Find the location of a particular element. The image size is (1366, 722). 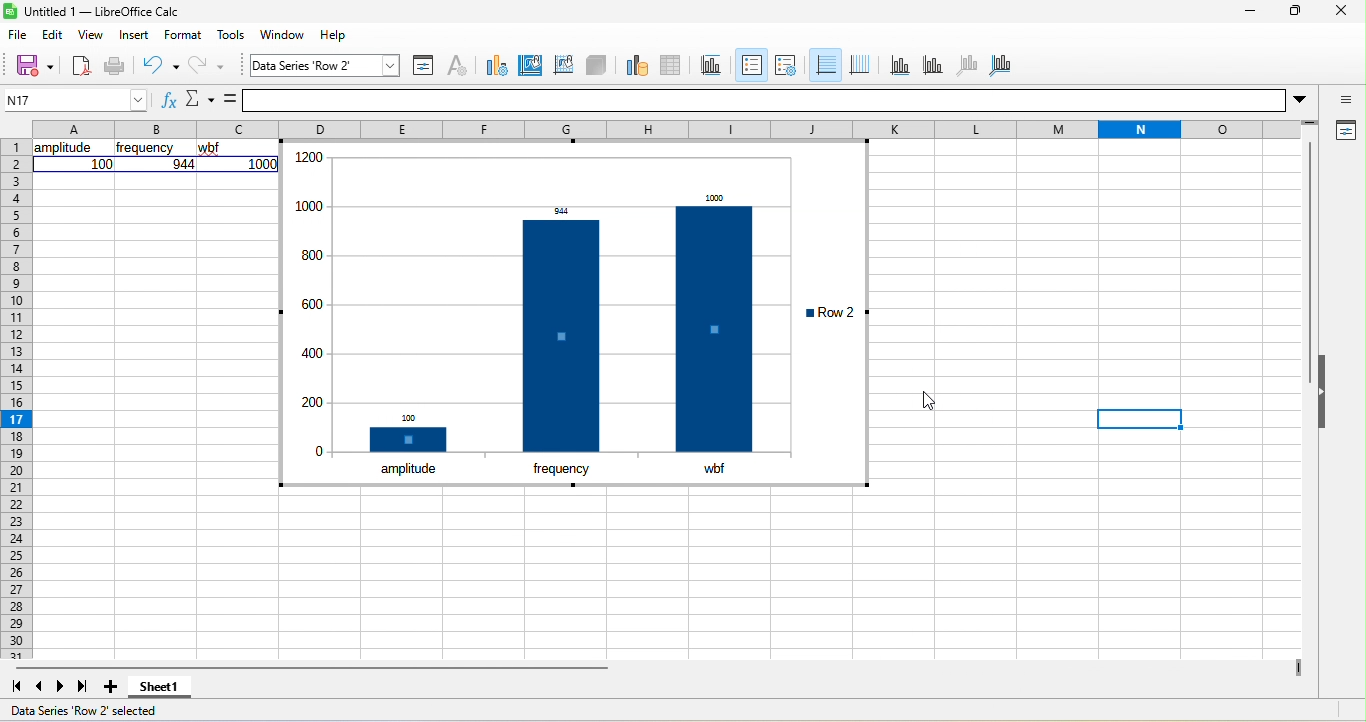

vertical scroll bar is located at coordinates (1312, 244).